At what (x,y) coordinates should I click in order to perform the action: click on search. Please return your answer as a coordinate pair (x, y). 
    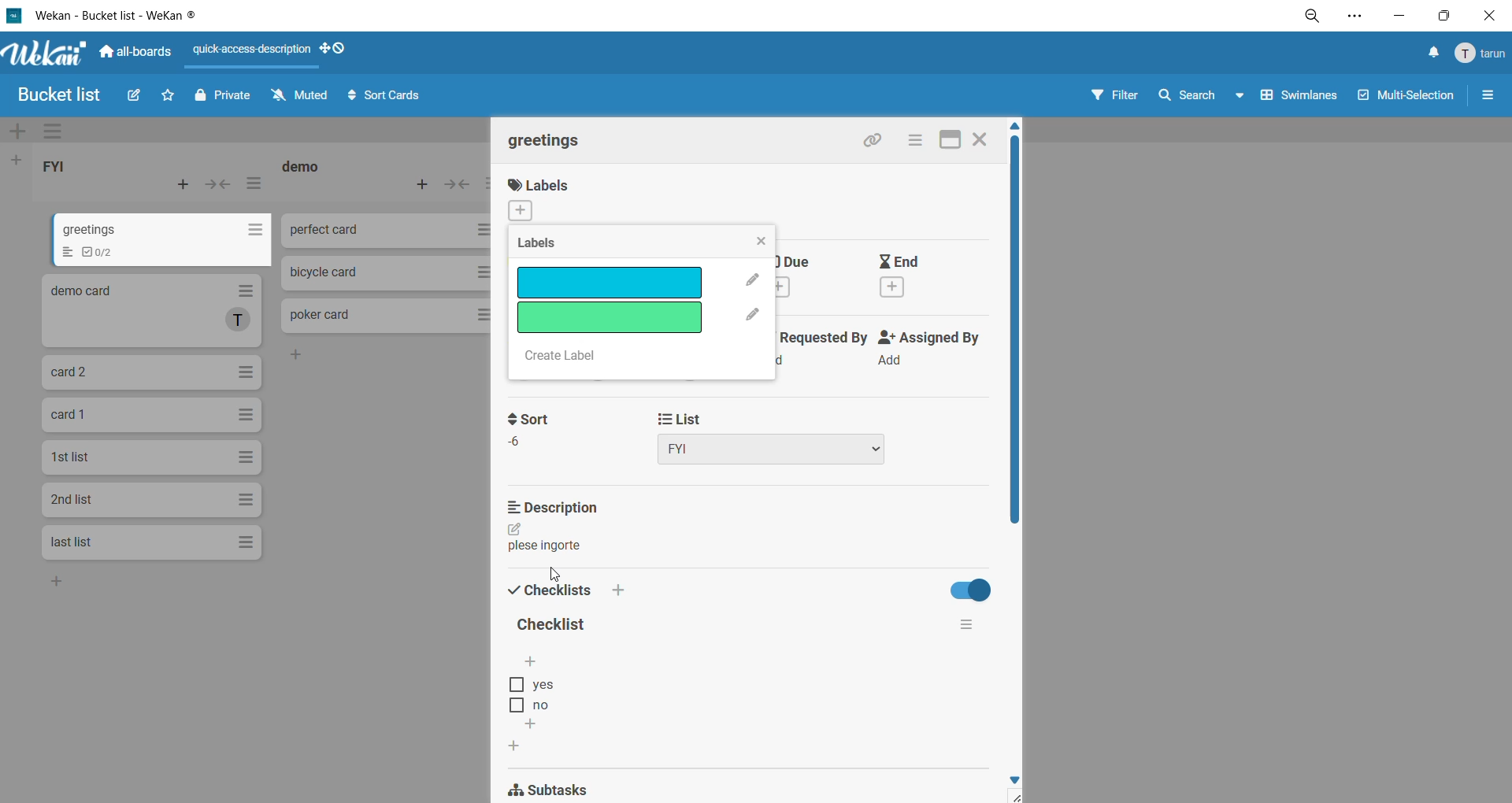
    Looking at the image, I should click on (1187, 98).